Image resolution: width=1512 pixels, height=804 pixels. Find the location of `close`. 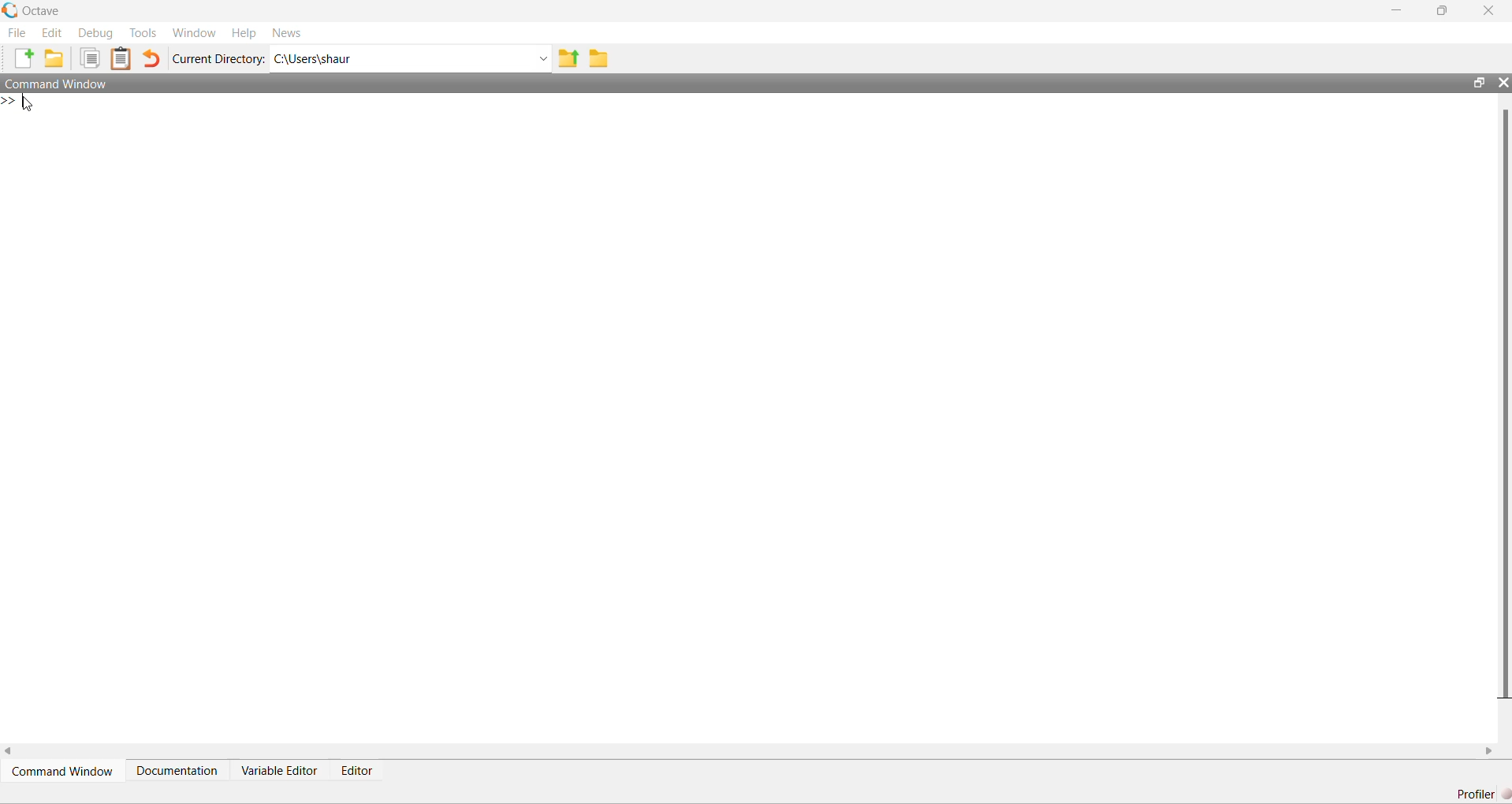

close is located at coordinates (1504, 83).